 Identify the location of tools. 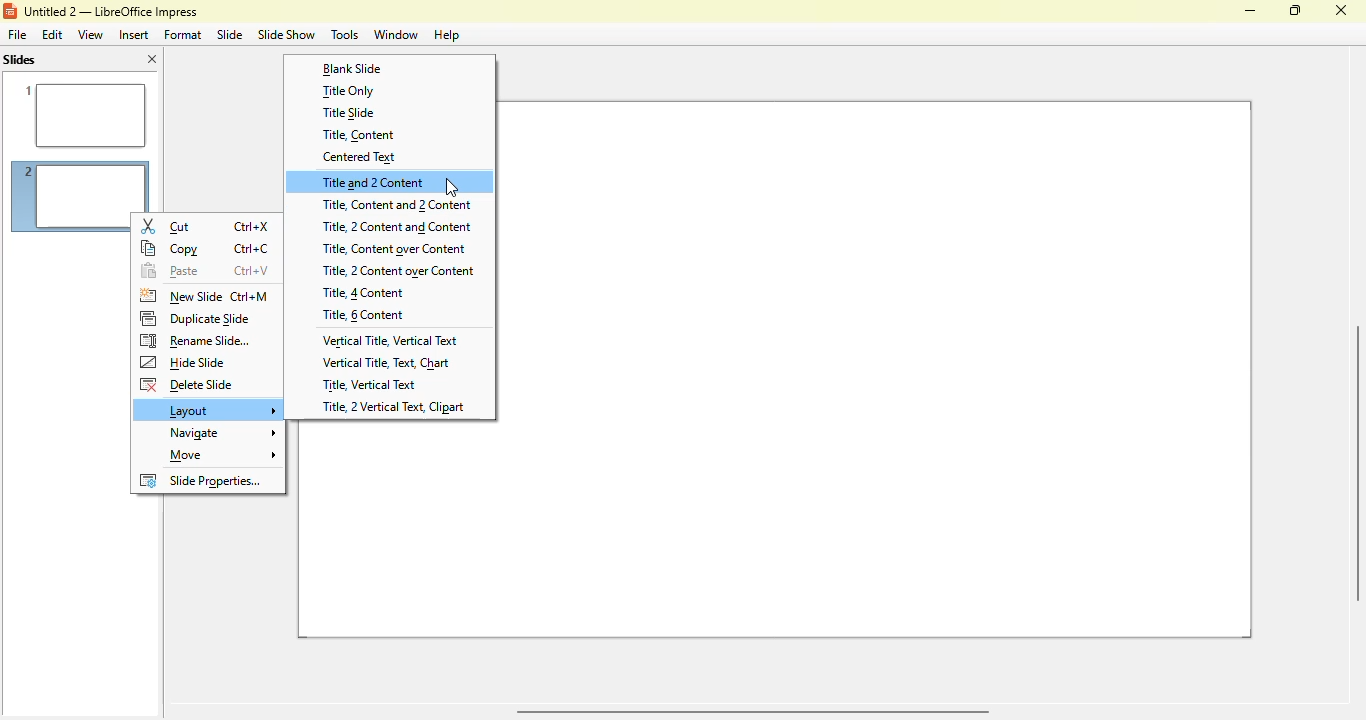
(343, 34).